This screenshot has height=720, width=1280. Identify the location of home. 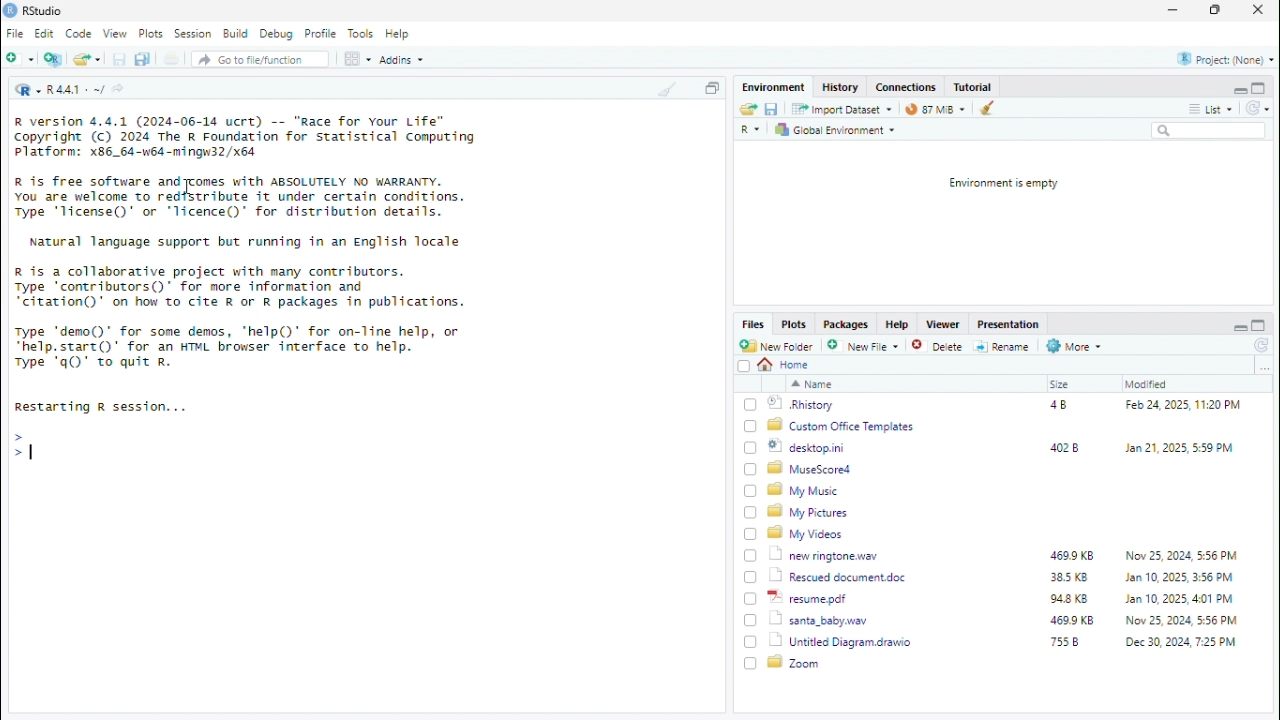
(785, 365).